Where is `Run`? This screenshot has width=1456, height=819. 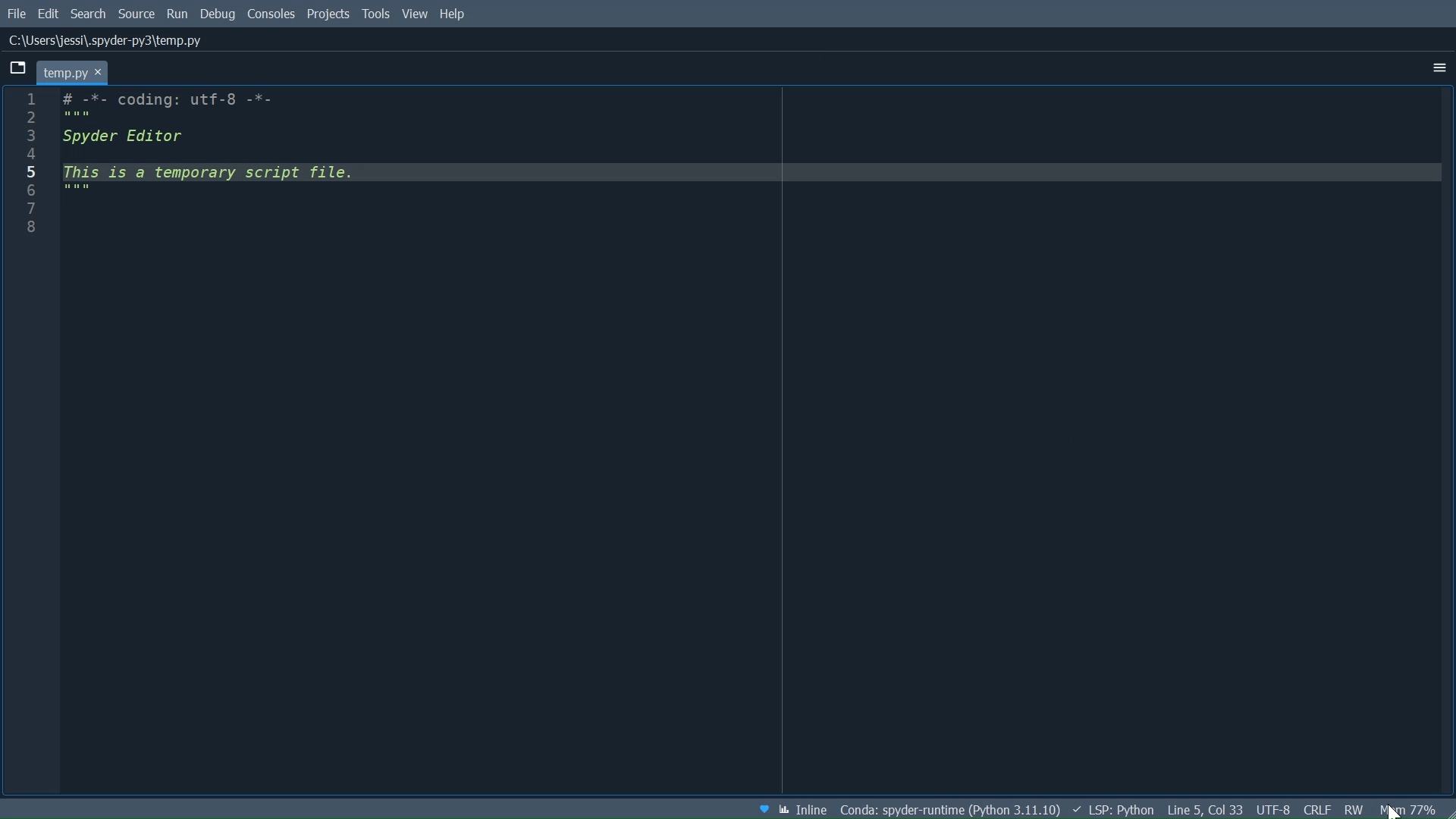 Run is located at coordinates (178, 15).